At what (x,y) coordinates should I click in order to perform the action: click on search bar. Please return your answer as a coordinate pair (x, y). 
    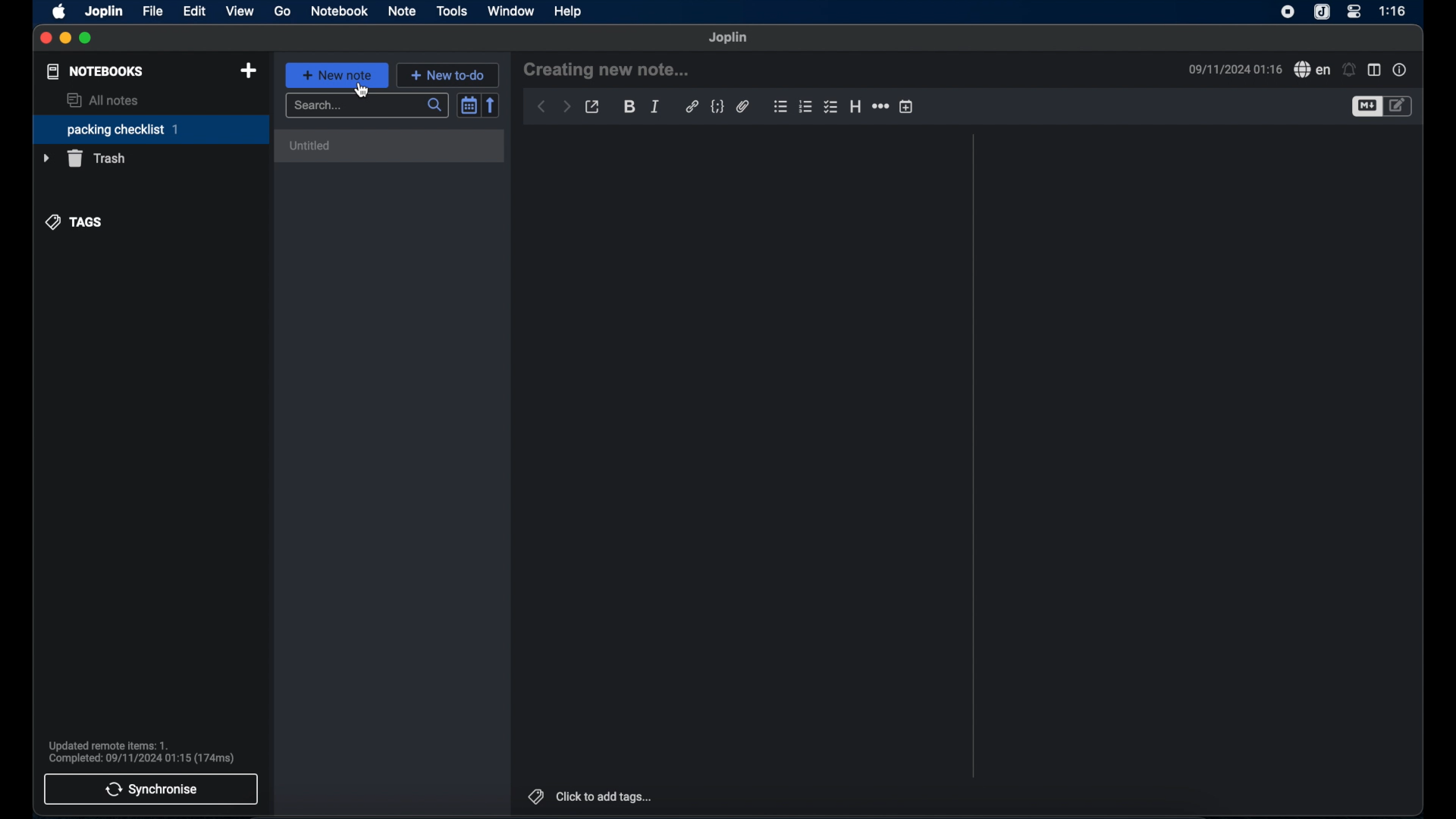
    Looking at the image, I should click on (366, 105).